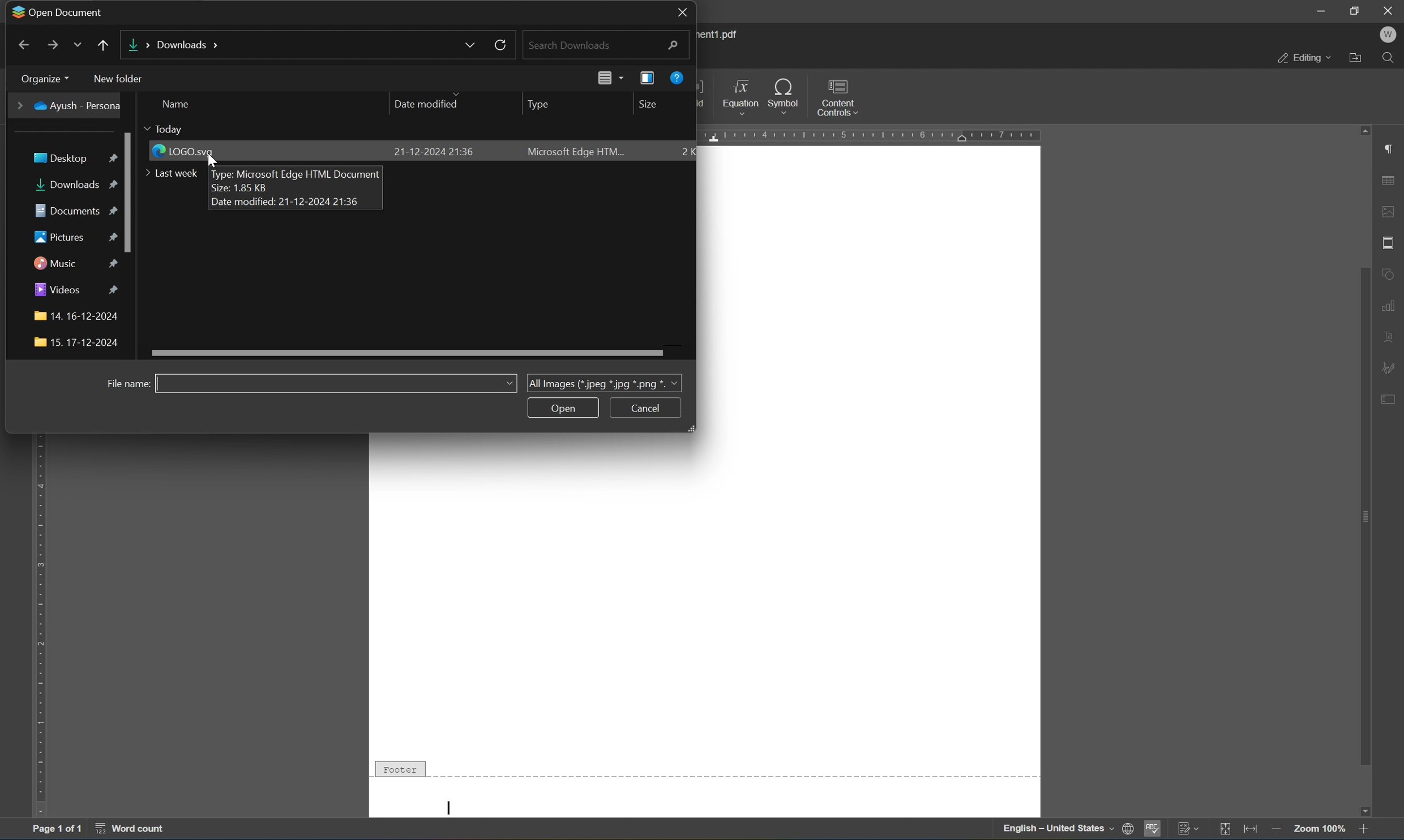 The image size is (1404, 840). What do you see at coordinates (72, 317) in the screenshot?
I see `folder` at bounding box center [72, 317].